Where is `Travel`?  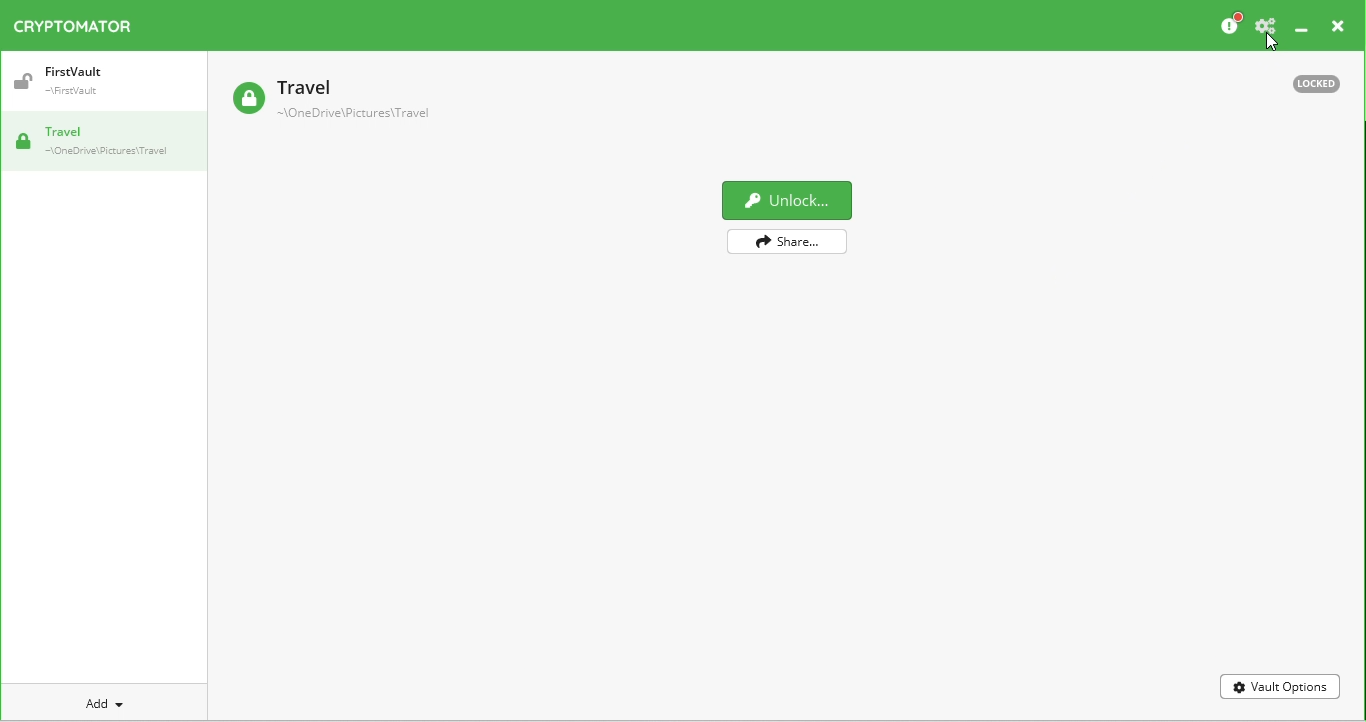
Travel is located at coordinates (110, 142).